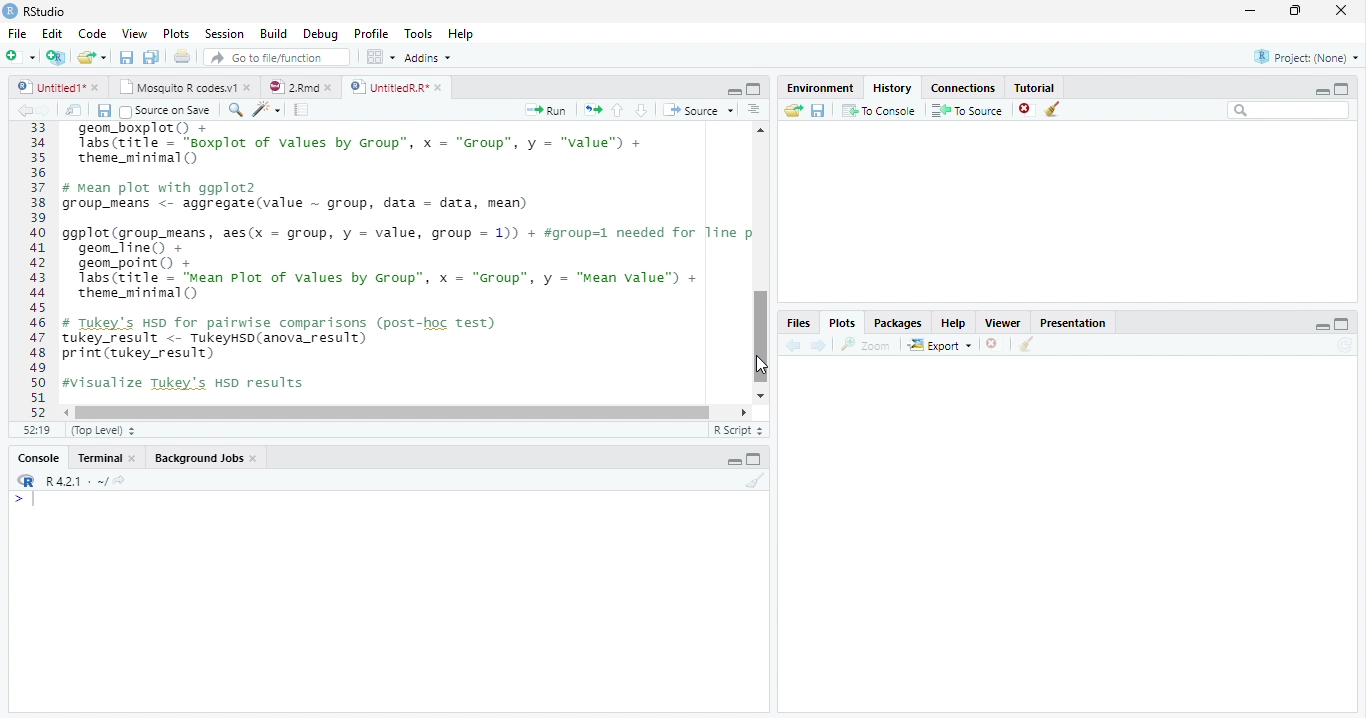 The image size is (1366, 718). What do you see at coordinates (56, 57) in the screenshot?
I see `Create a Project` at bounding box center [56, 57].